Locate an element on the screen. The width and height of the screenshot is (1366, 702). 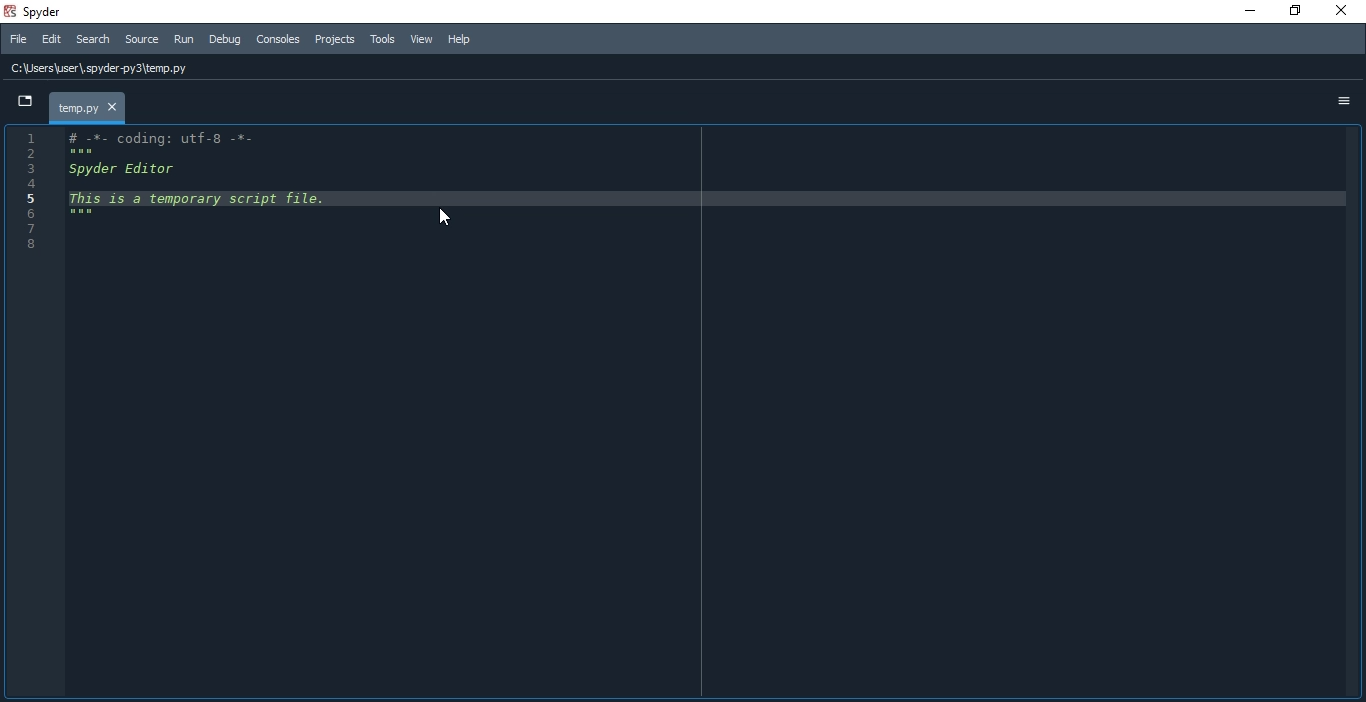
code is located at coordinates (205, 183).